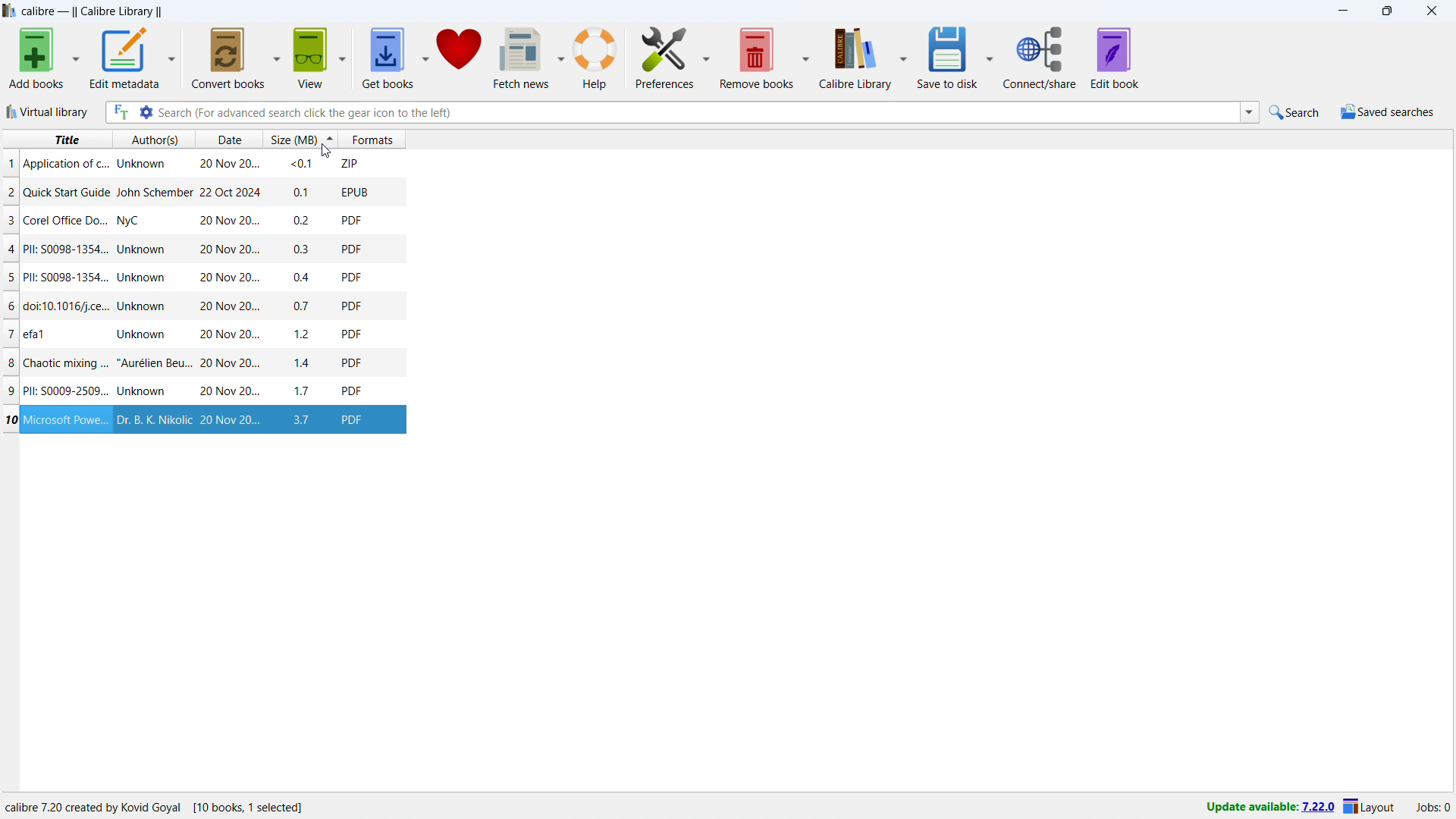 This screenshot has width=1456, height=819. What do you see at coordinates (1266, 805) in the screenshot?
I see `Update available: 7.22.0` at bounding box center [1266, 805].